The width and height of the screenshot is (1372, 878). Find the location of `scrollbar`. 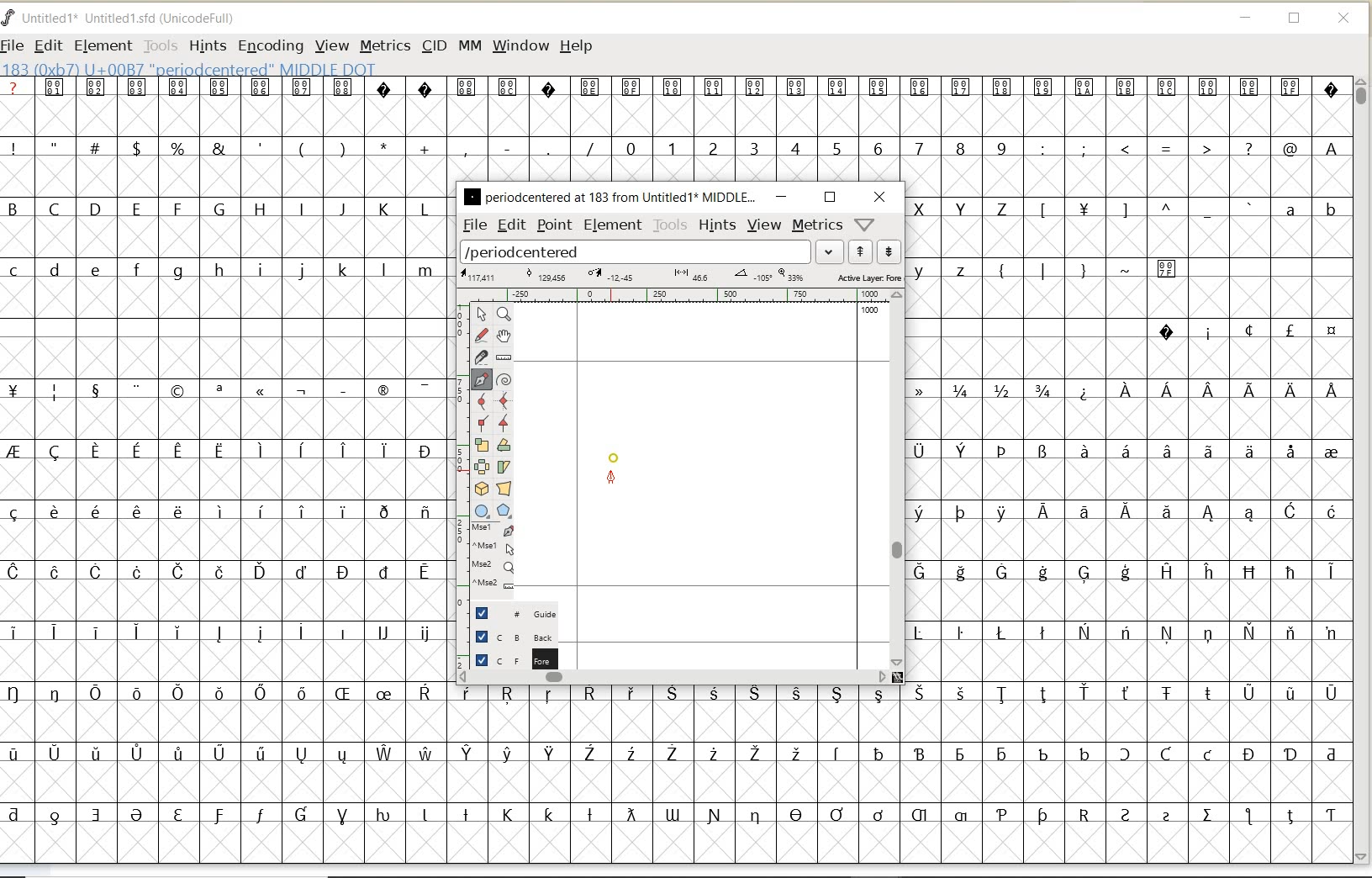

scrollbar is located at coordinates (673, 677).